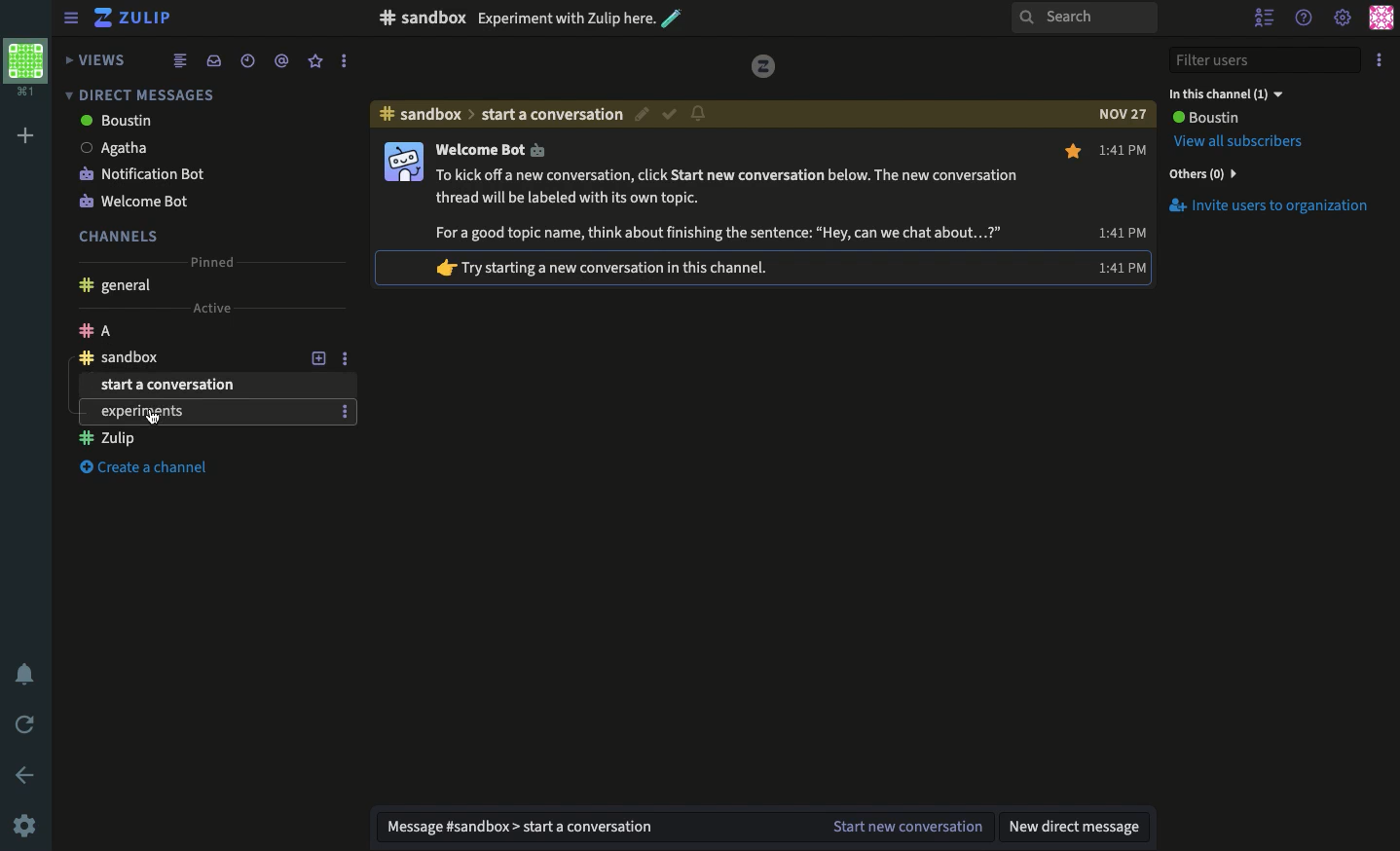  I want to click on Notification, so click(27, 677).